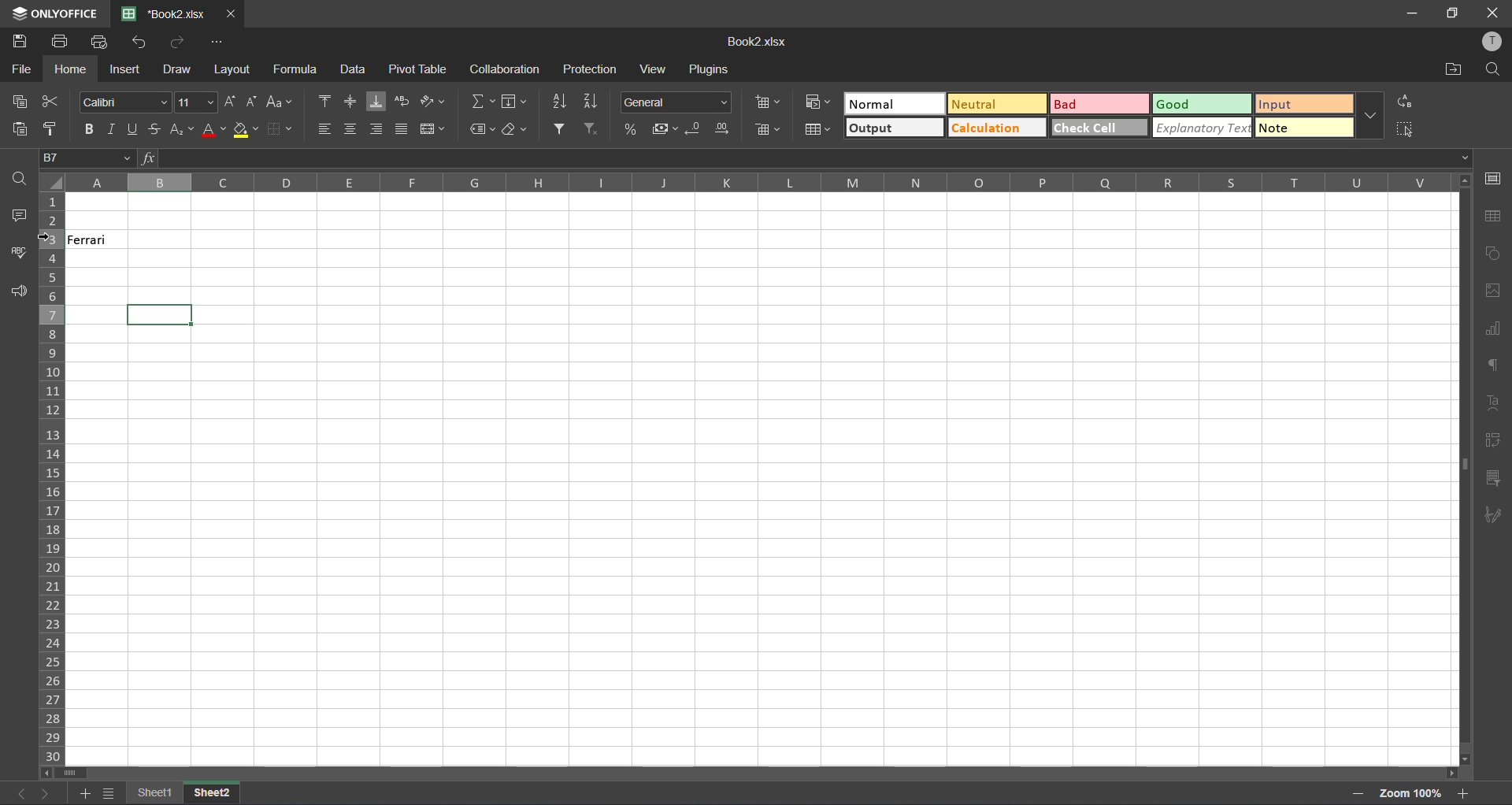  Describe the element at coordinates (1359, 793) in the screenshot. I see `zoom out` at that location.